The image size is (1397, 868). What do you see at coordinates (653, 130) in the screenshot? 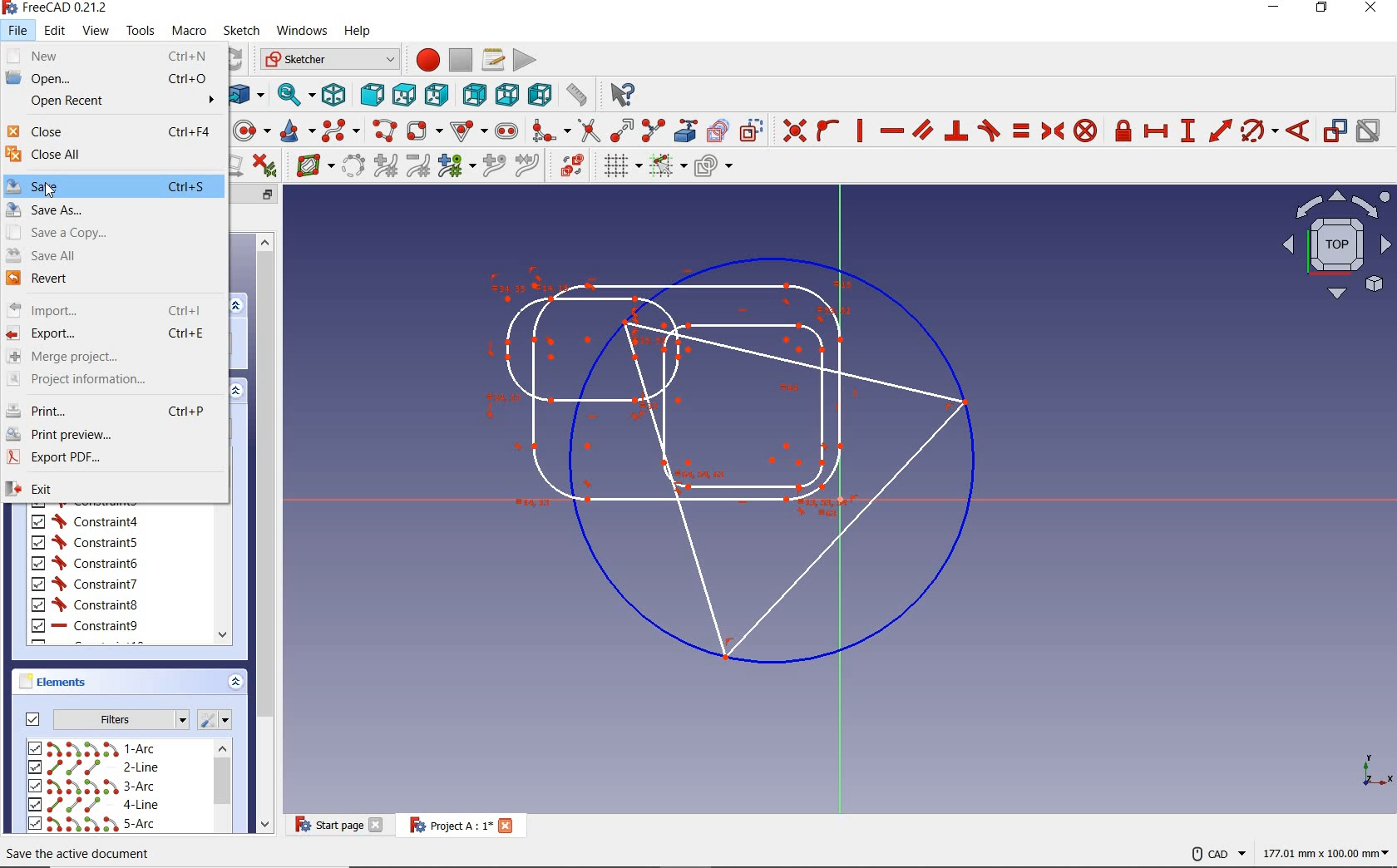
I see `split edge` at bounding box center [653, 130].